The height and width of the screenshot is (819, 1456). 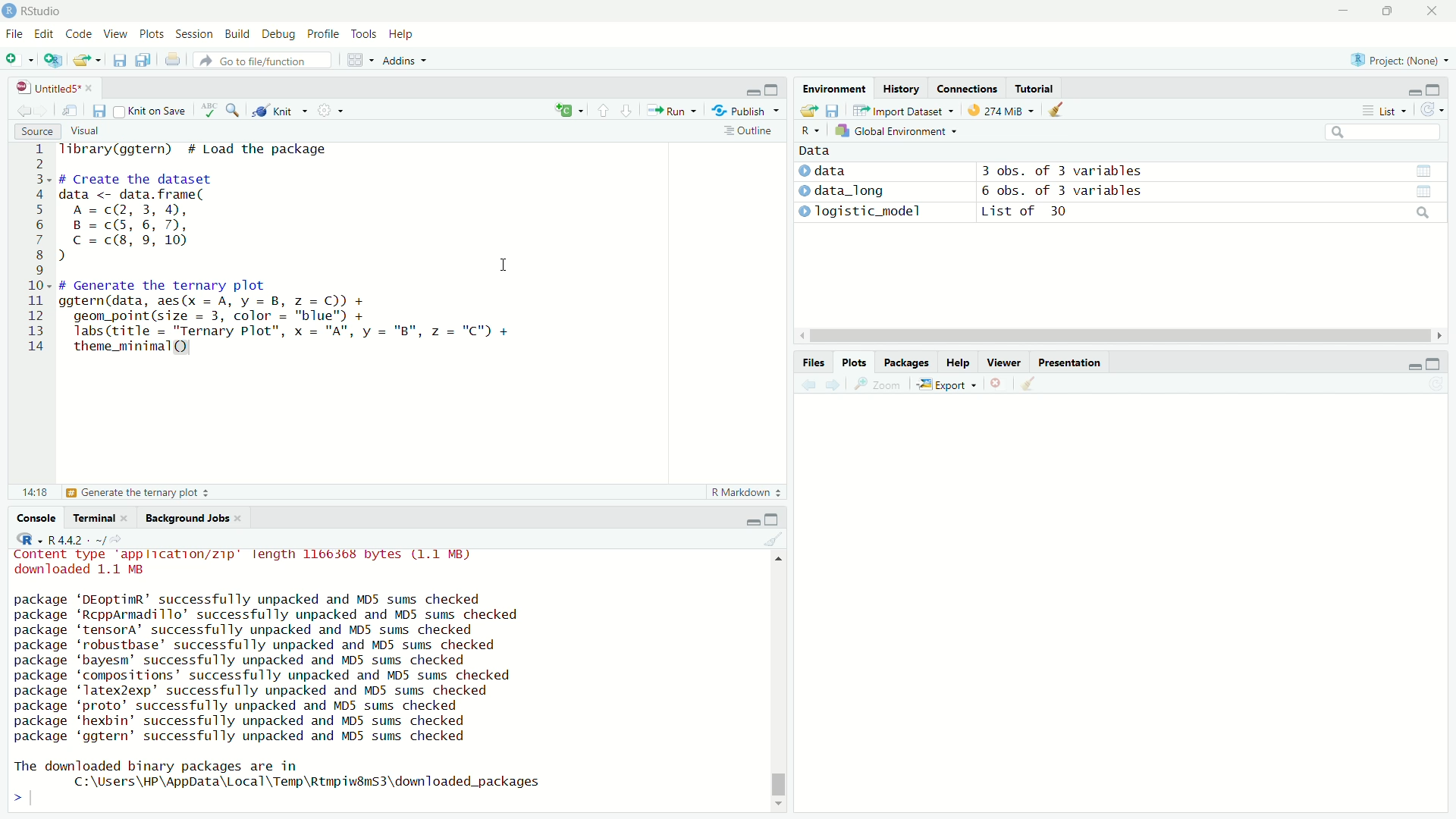 What do you see at coordinates (898, 130) in the screenshot?
I see `Global Environment «=` at bounding box center [898, 130].